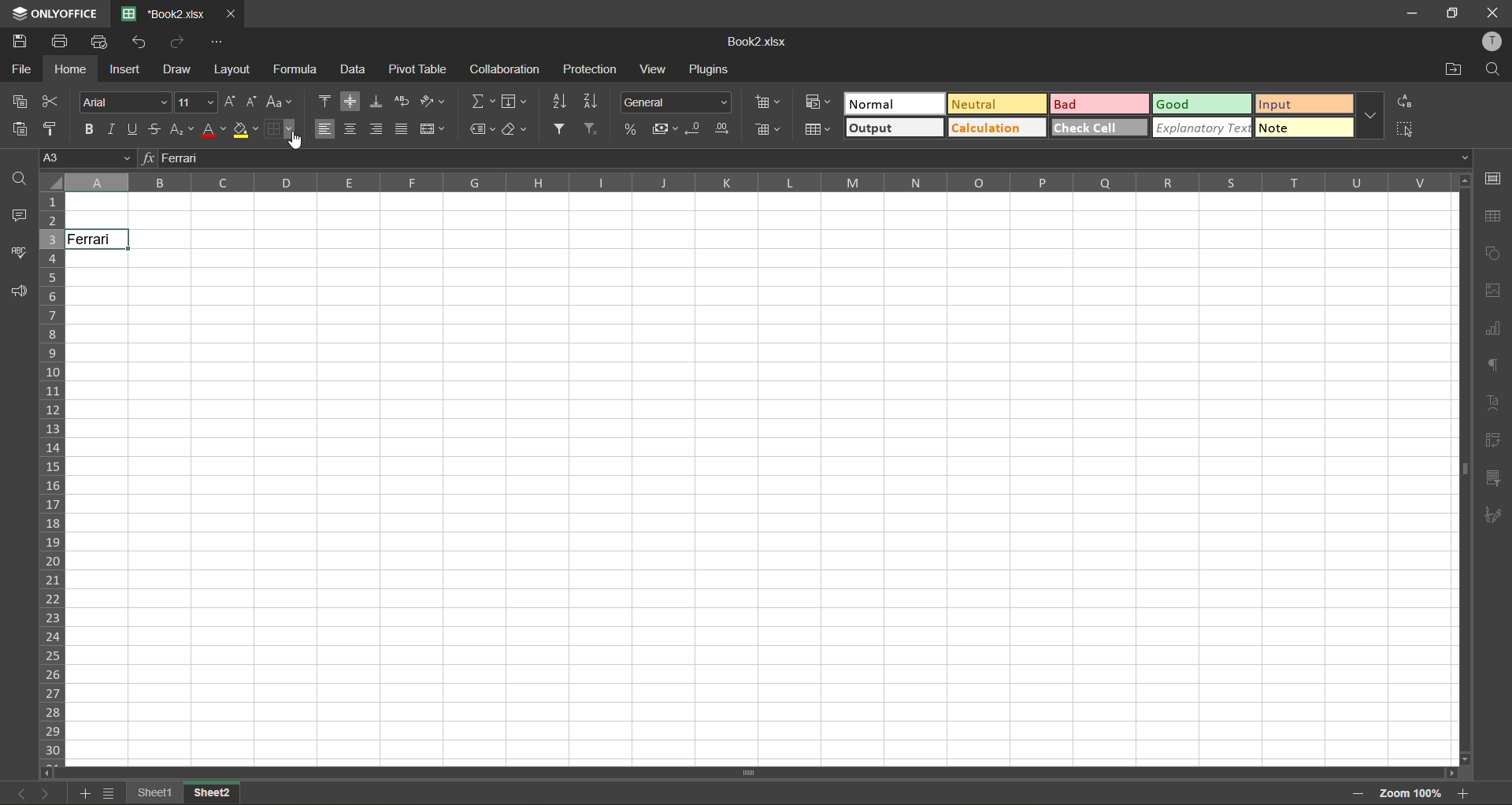 This screenshot has height=805, width=1512. I want to click on bad, so click(1094, 106).